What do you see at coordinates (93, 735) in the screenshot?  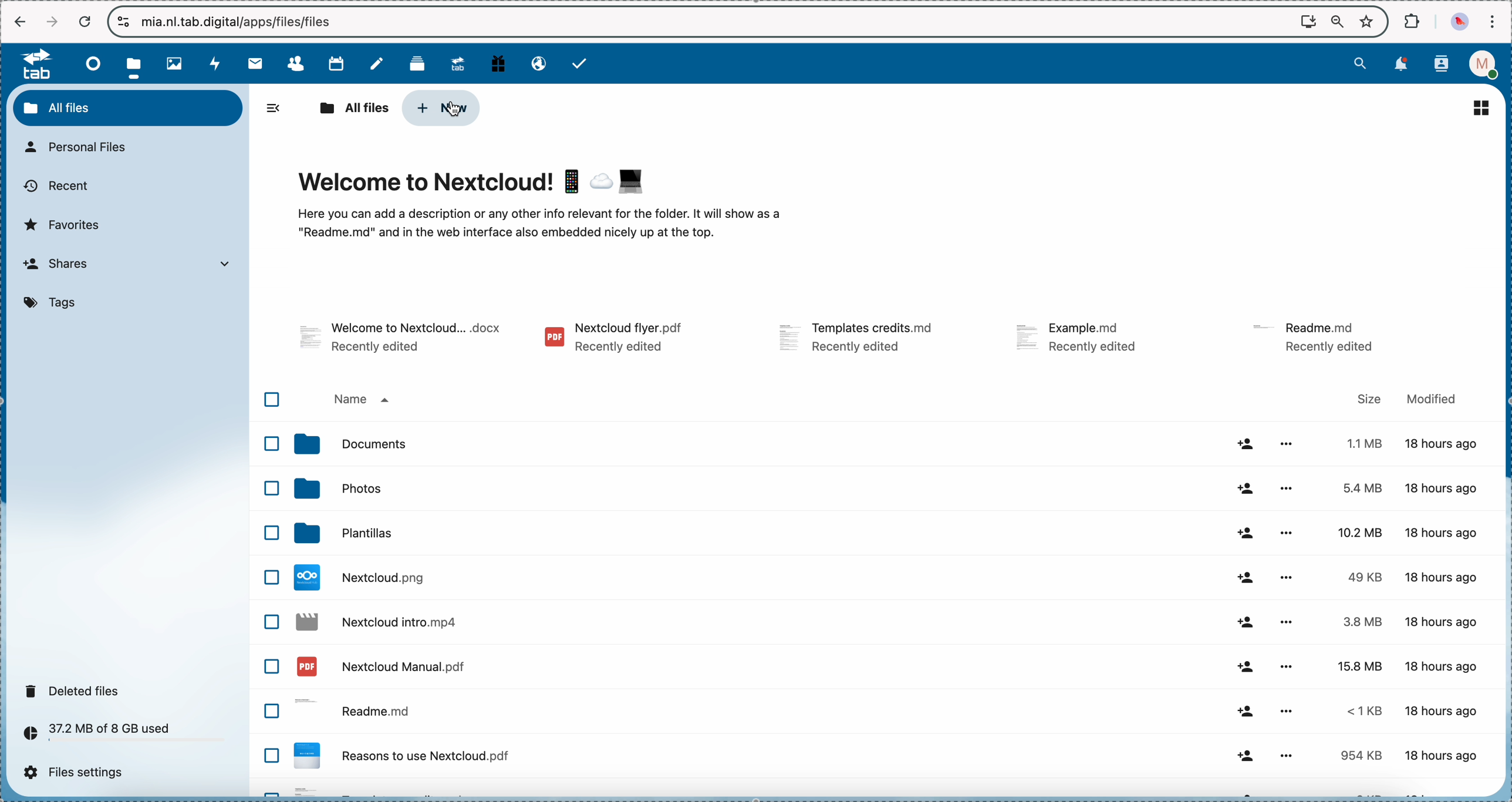 I see `37.2 MB of 8 GB` at bounding box center [93, 735].